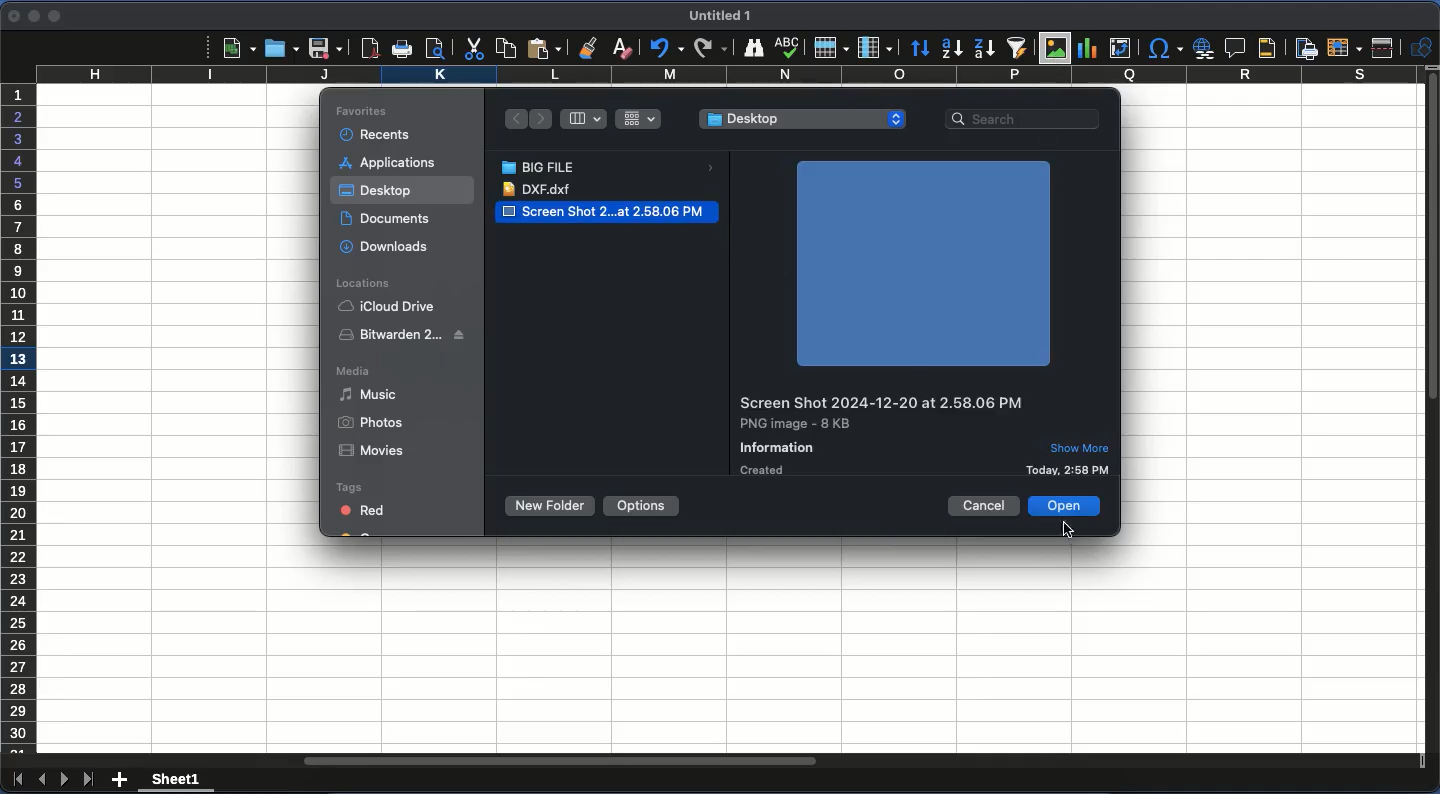  What do you see at coordinates (541, 190) in the screenshot?
I see `dxf` at bounding box center [541, 190].